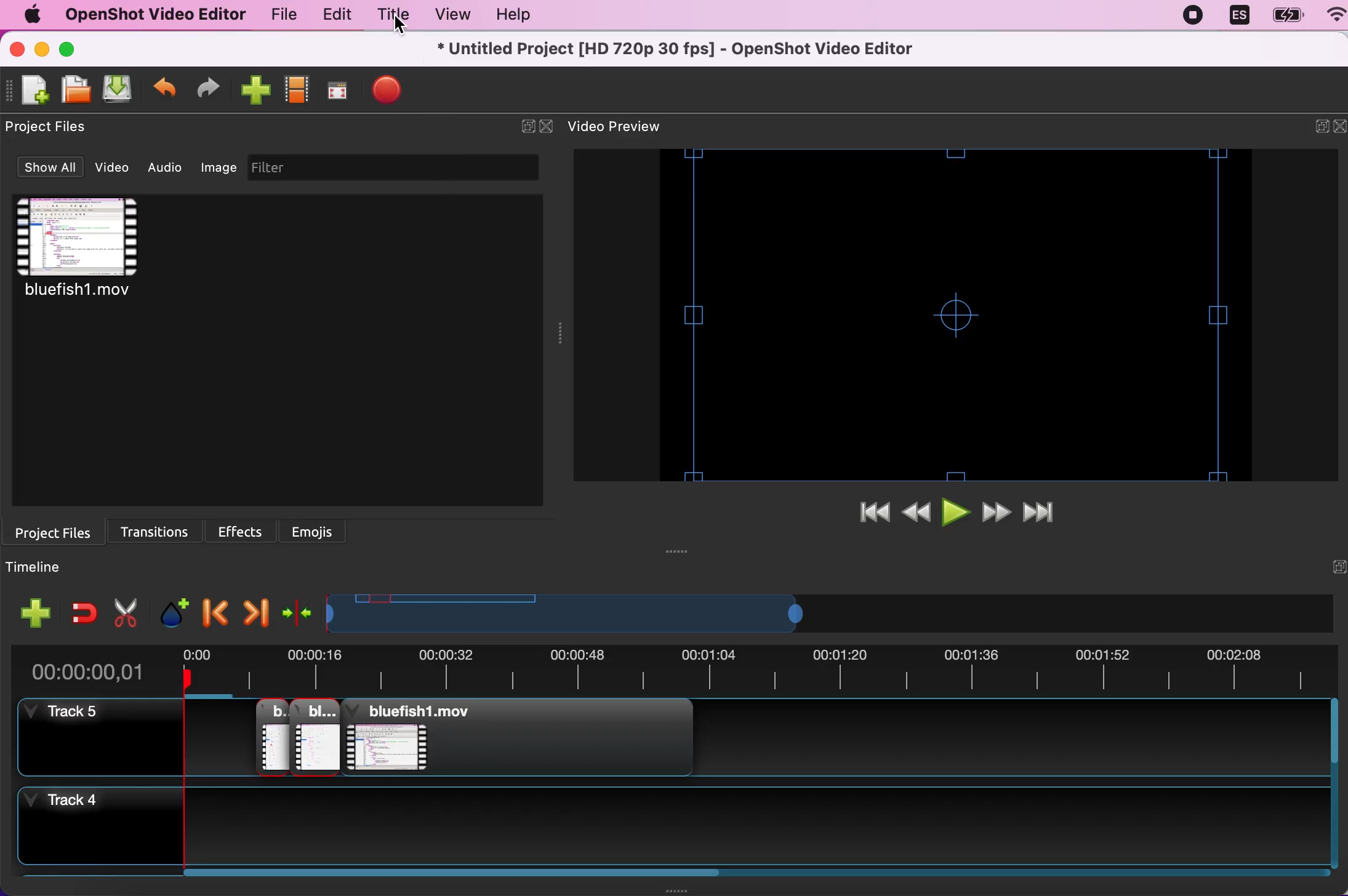 This screenshot has width=1348, height=896. What do you see at coordinates (219, 166) in the screenshot?
I see `image` at bounding box center [219, 166].